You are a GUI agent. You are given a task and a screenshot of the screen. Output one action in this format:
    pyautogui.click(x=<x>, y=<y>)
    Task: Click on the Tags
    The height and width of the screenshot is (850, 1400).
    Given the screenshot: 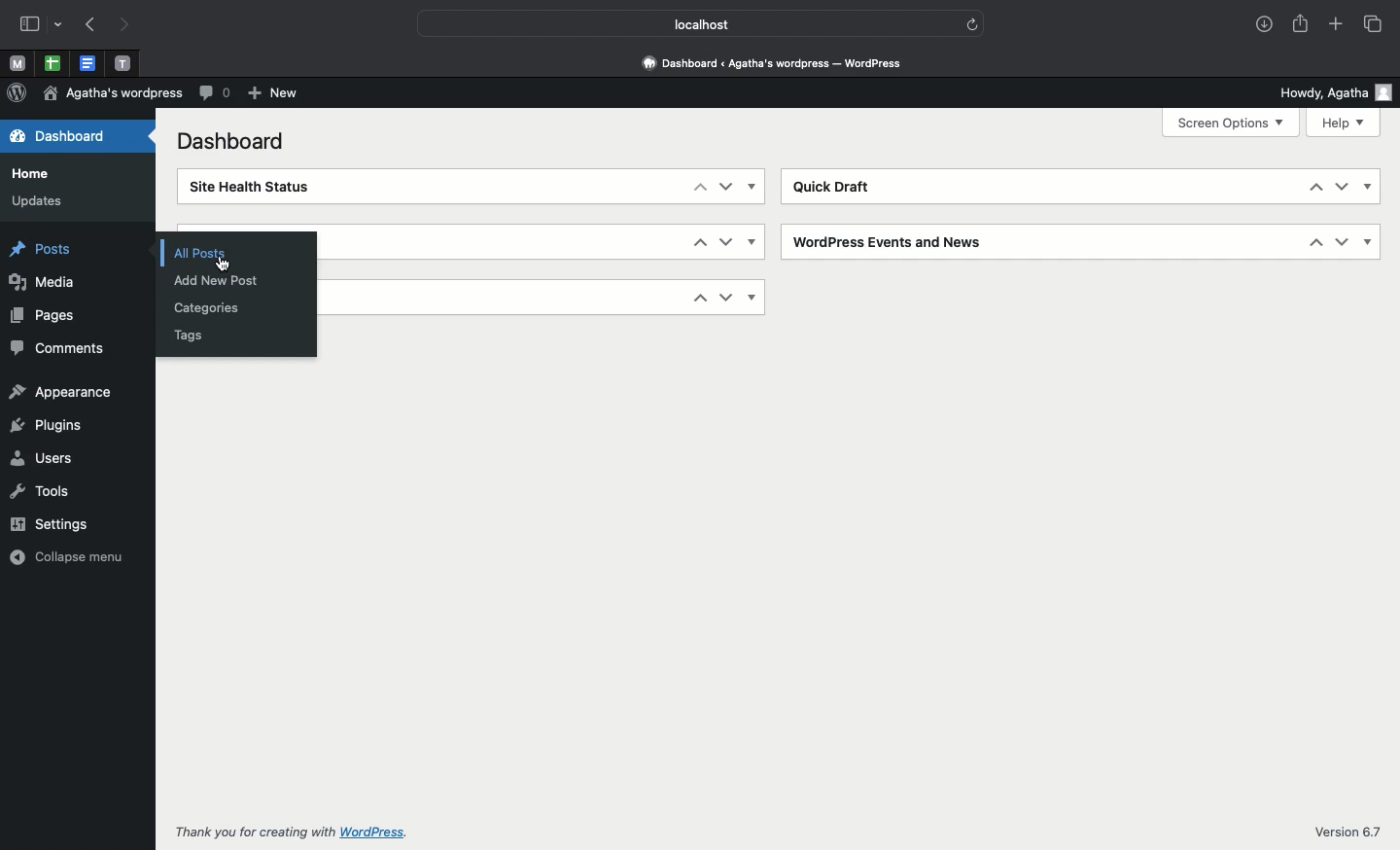 What is the action you would take?
    pyautogui.click(x=193, y=336)
    